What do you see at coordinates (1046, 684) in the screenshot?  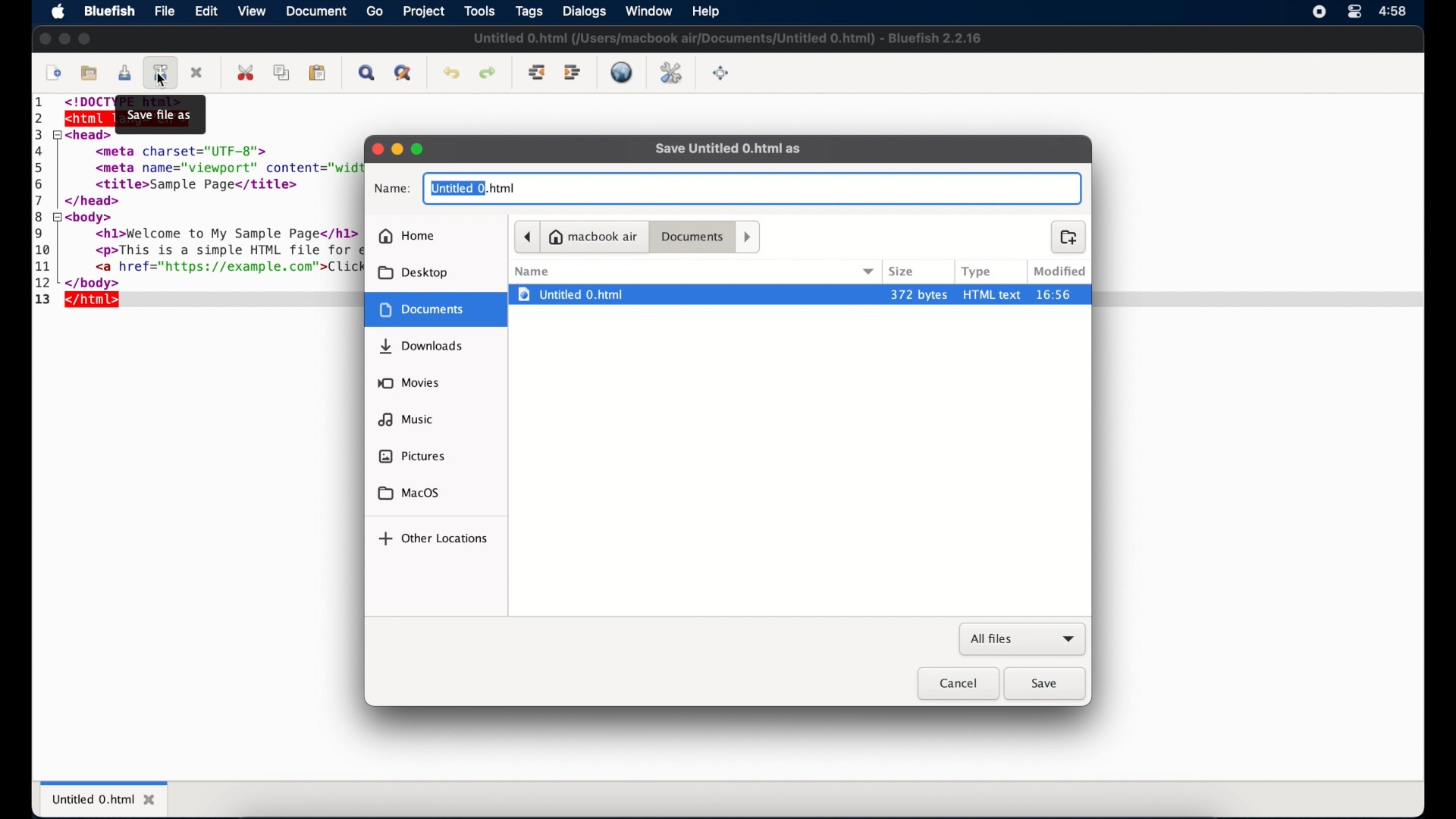 I see `save` at bounding box center [1046, 684].